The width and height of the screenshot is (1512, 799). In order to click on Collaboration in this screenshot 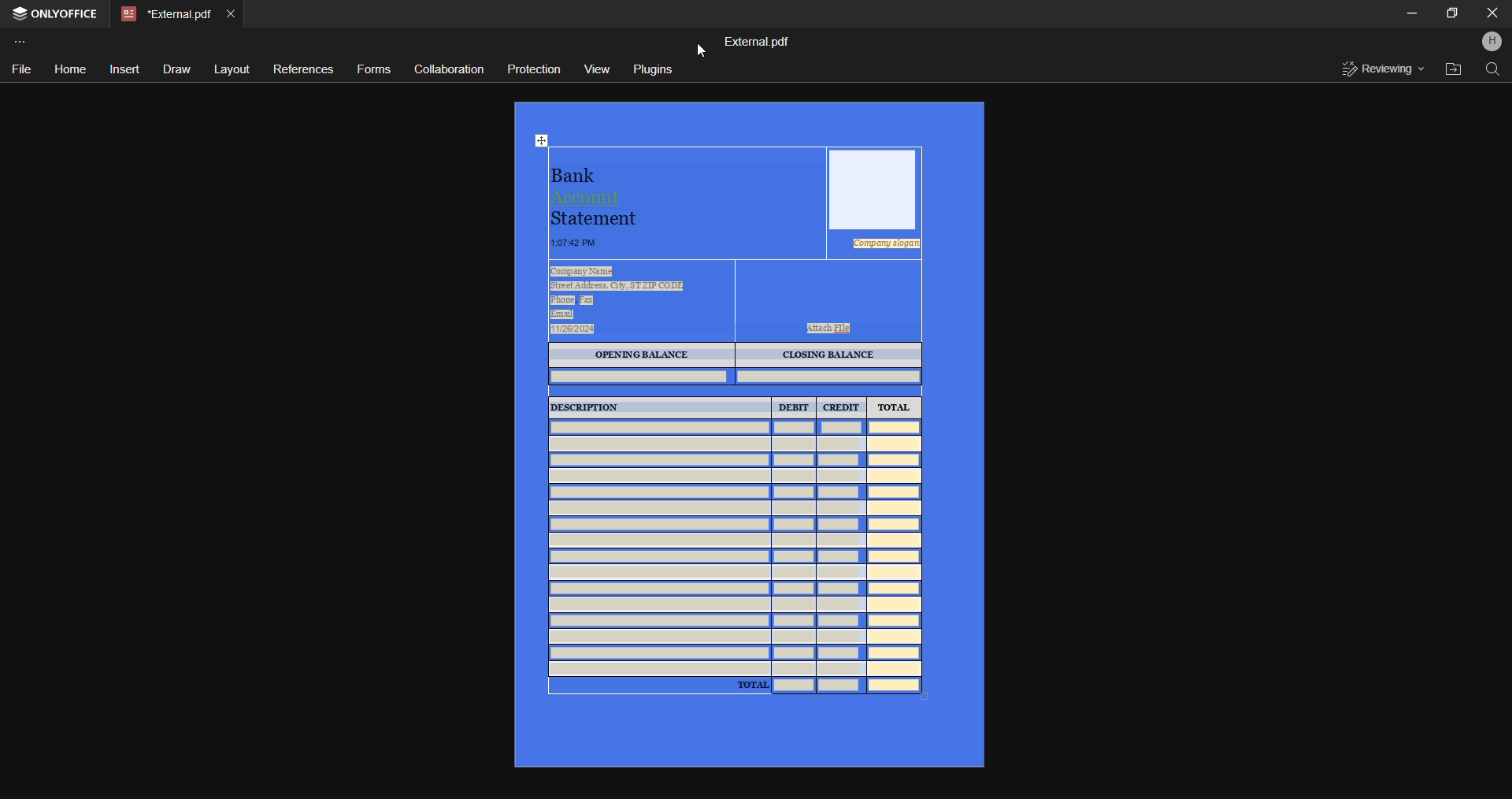, I will do `click(447, 70)`.